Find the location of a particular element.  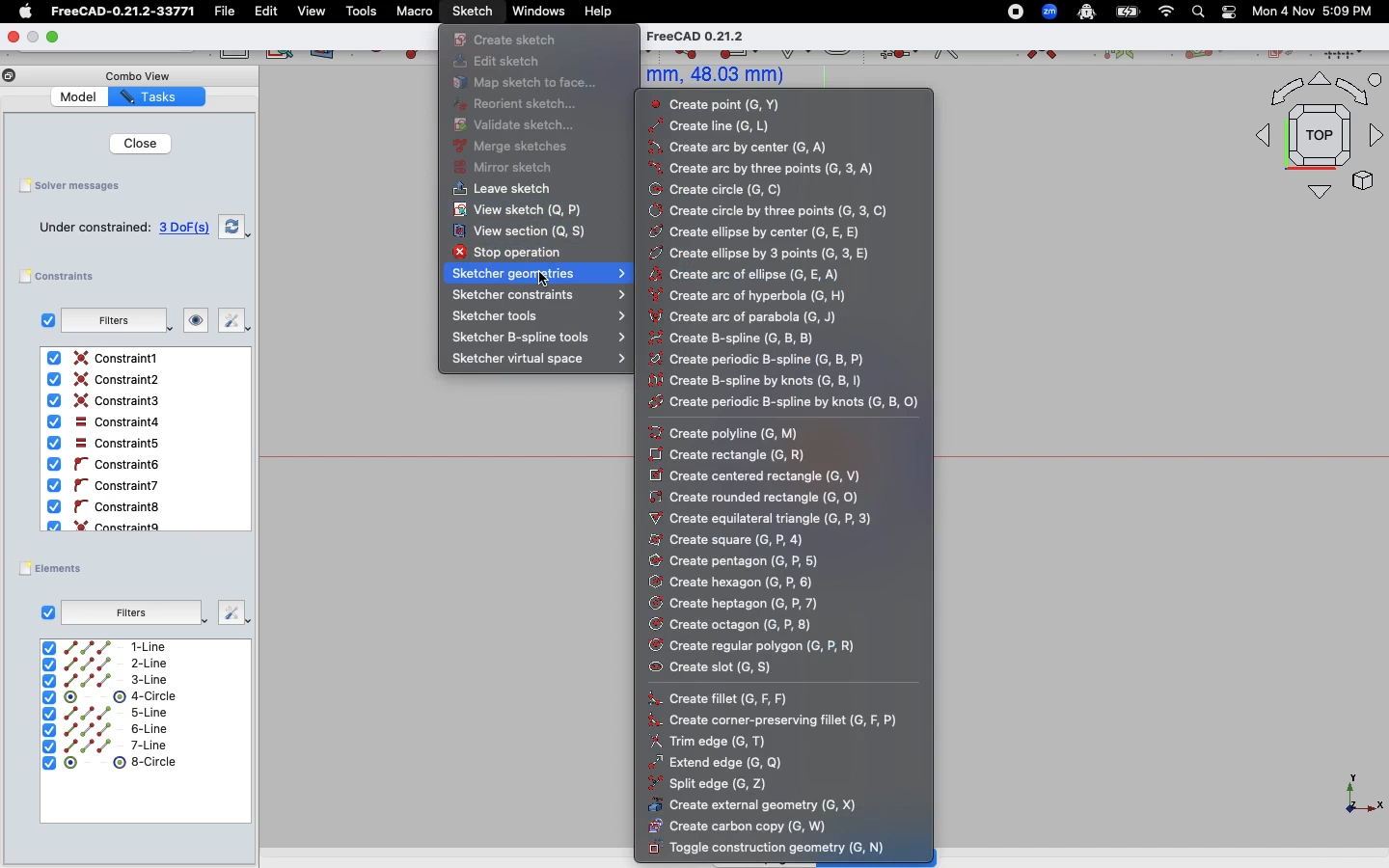

Sketcher geometries is located at coordinates (541, 274).